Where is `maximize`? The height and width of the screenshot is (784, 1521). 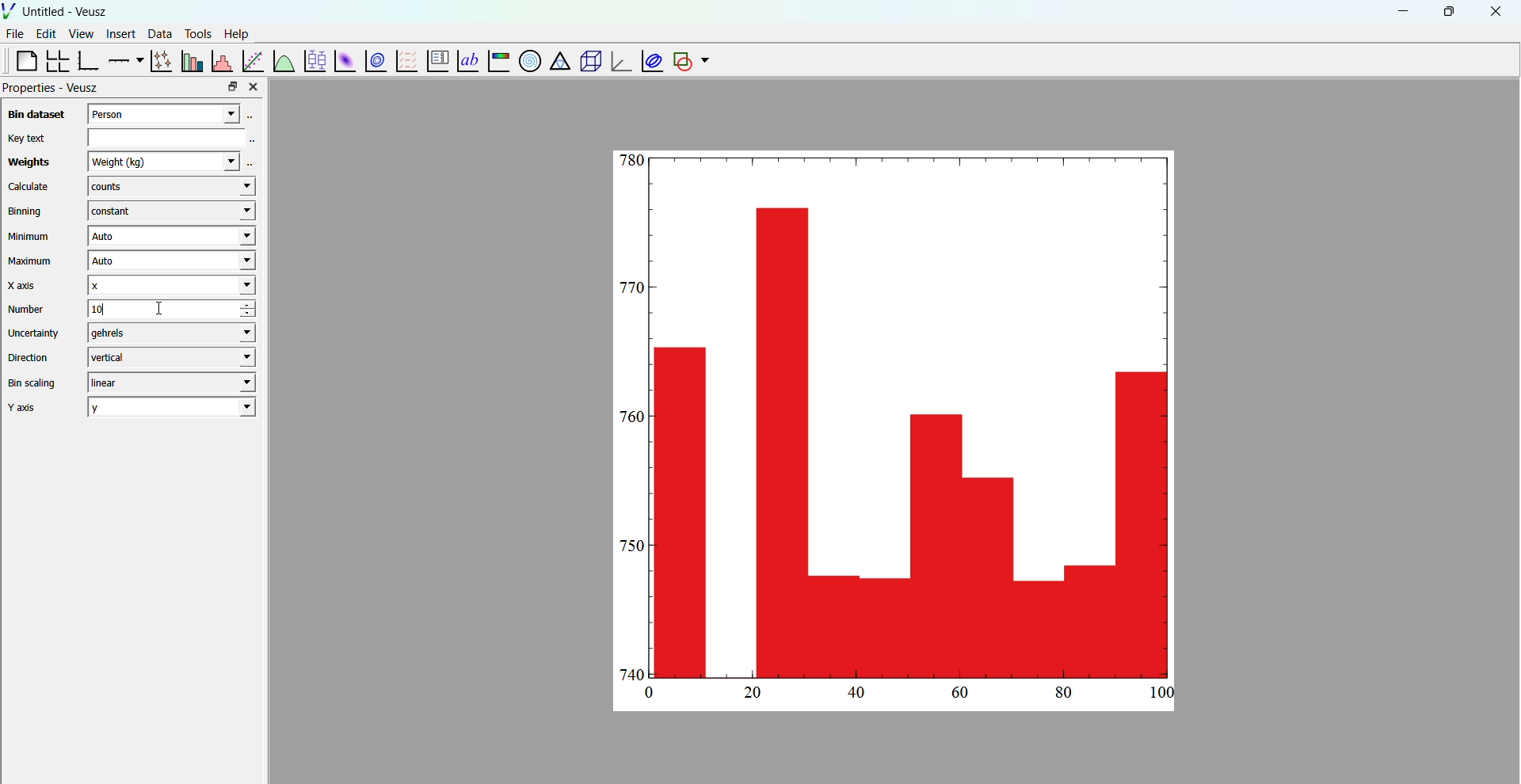
maximize is located at coordinates (1447, 10).